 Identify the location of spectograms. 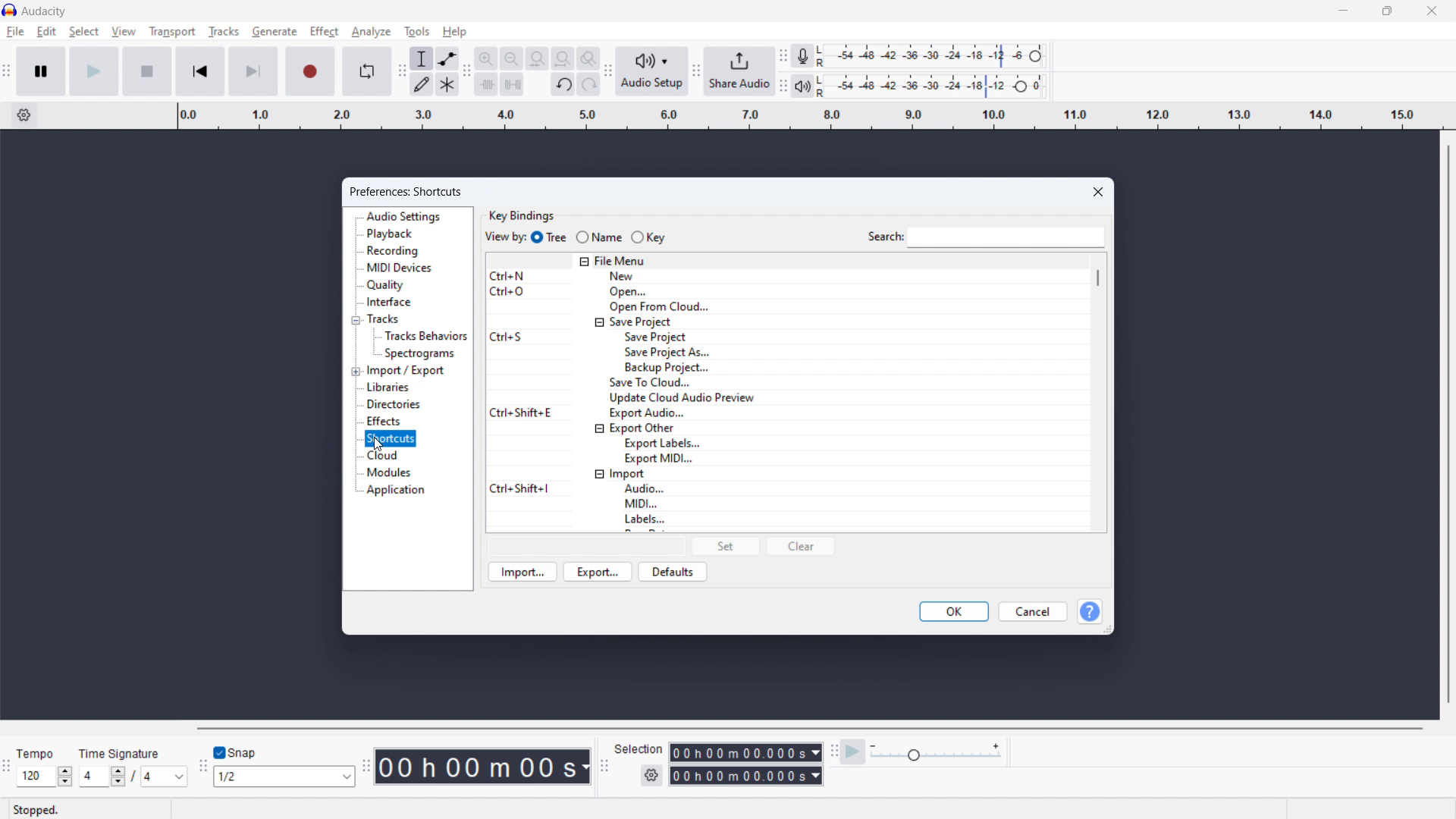
(421, 353).